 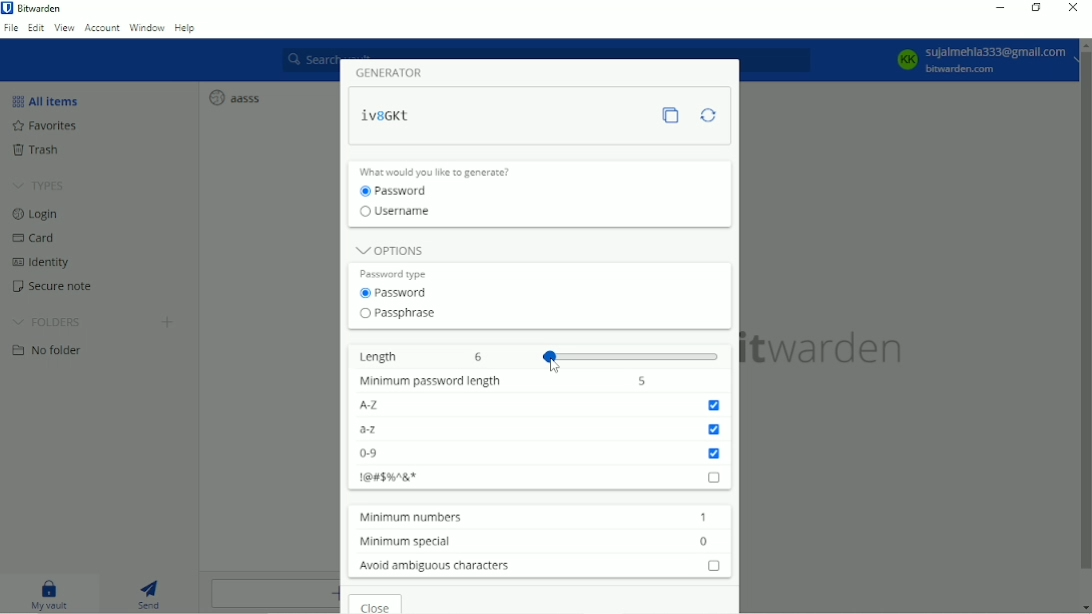 What do you see at coordinates (397, 293) in the screenshot?
I see `Password` at bounding box center [397, 293].